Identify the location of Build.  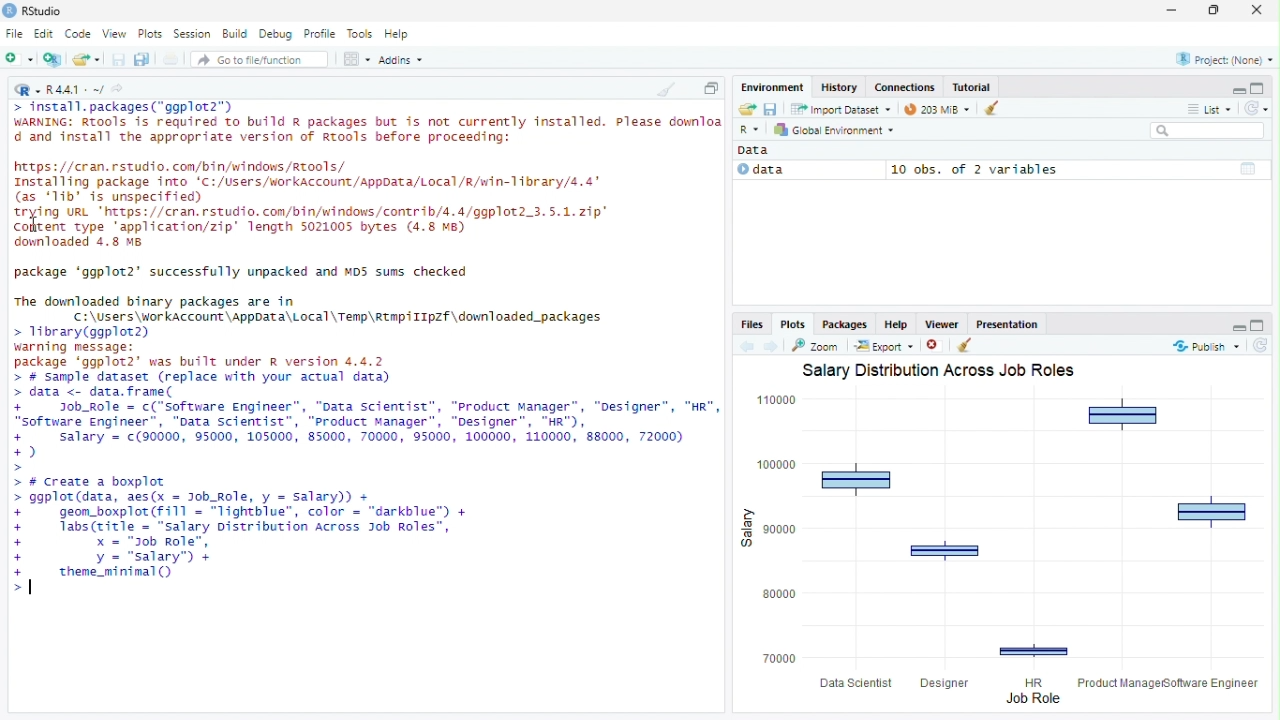
(237, 34).